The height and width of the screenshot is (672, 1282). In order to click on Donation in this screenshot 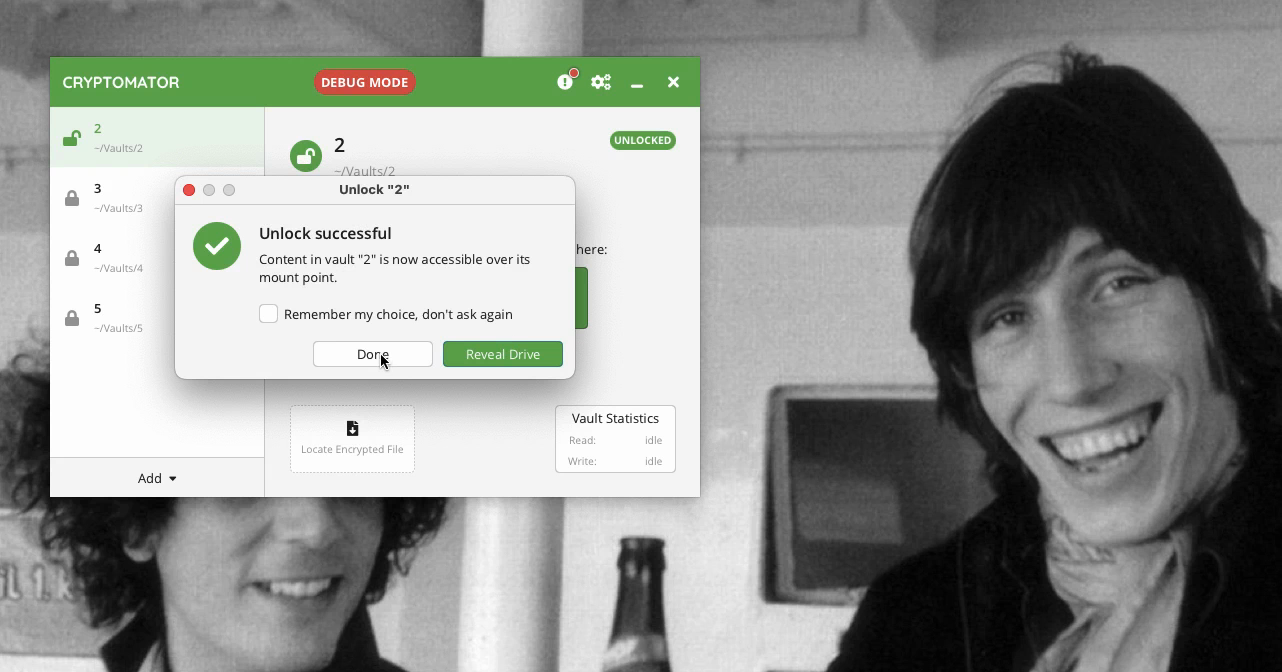, I will do `click(568, 81)`.